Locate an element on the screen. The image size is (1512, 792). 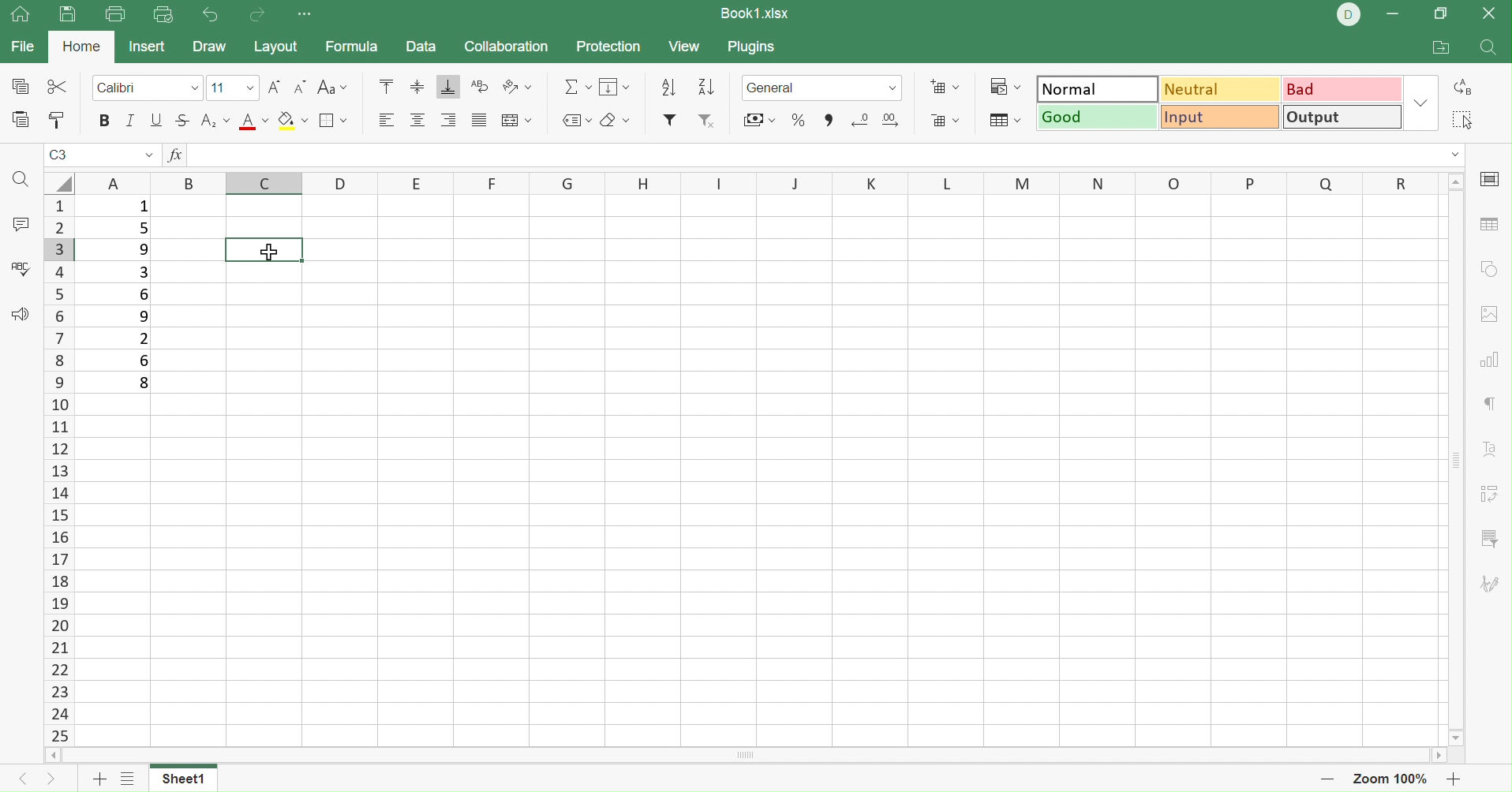
Drop down is located at coordinates (1424, 104).